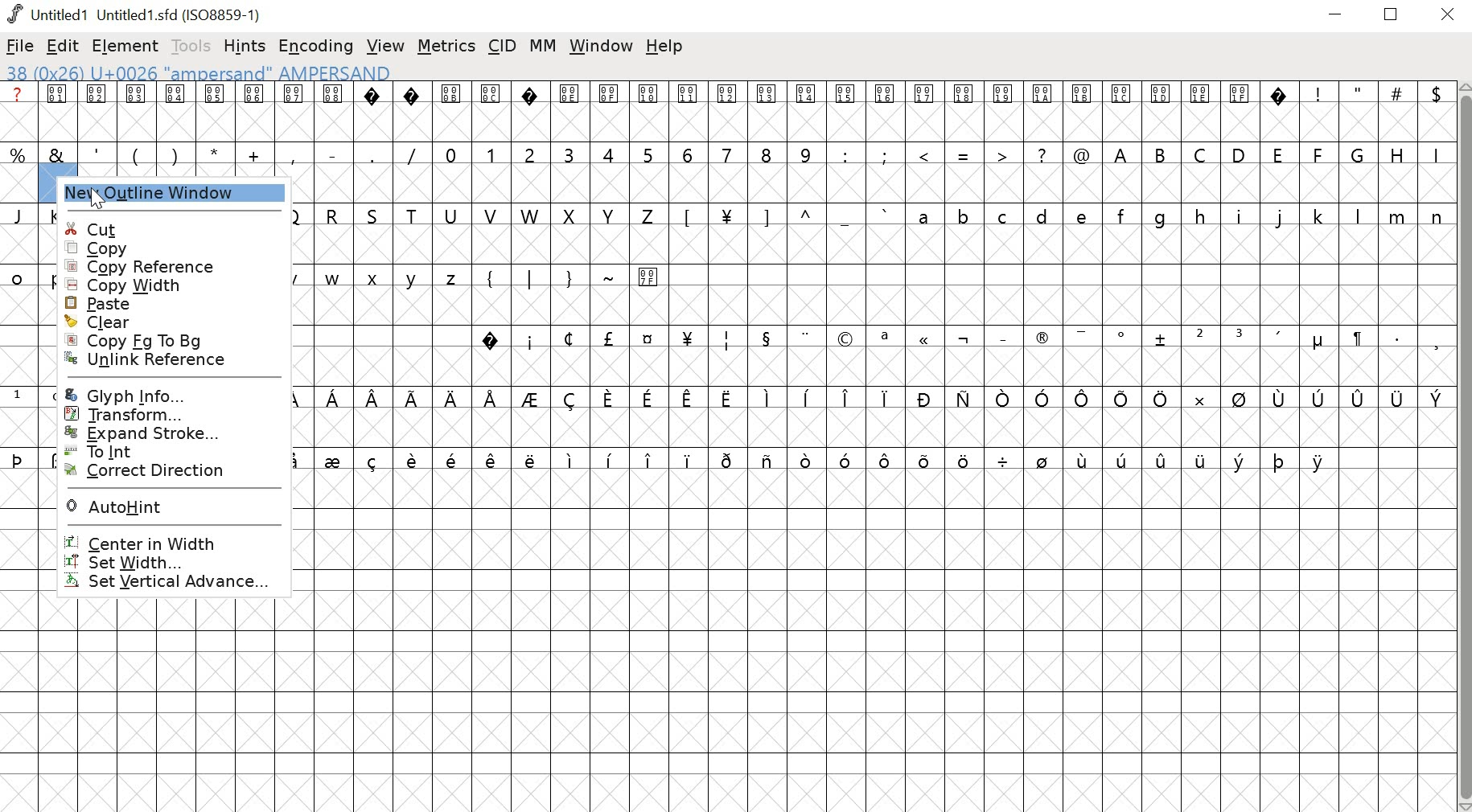  Describe the element at coordinates (728, 458) in the screenshot. I see `symbol` at that location.